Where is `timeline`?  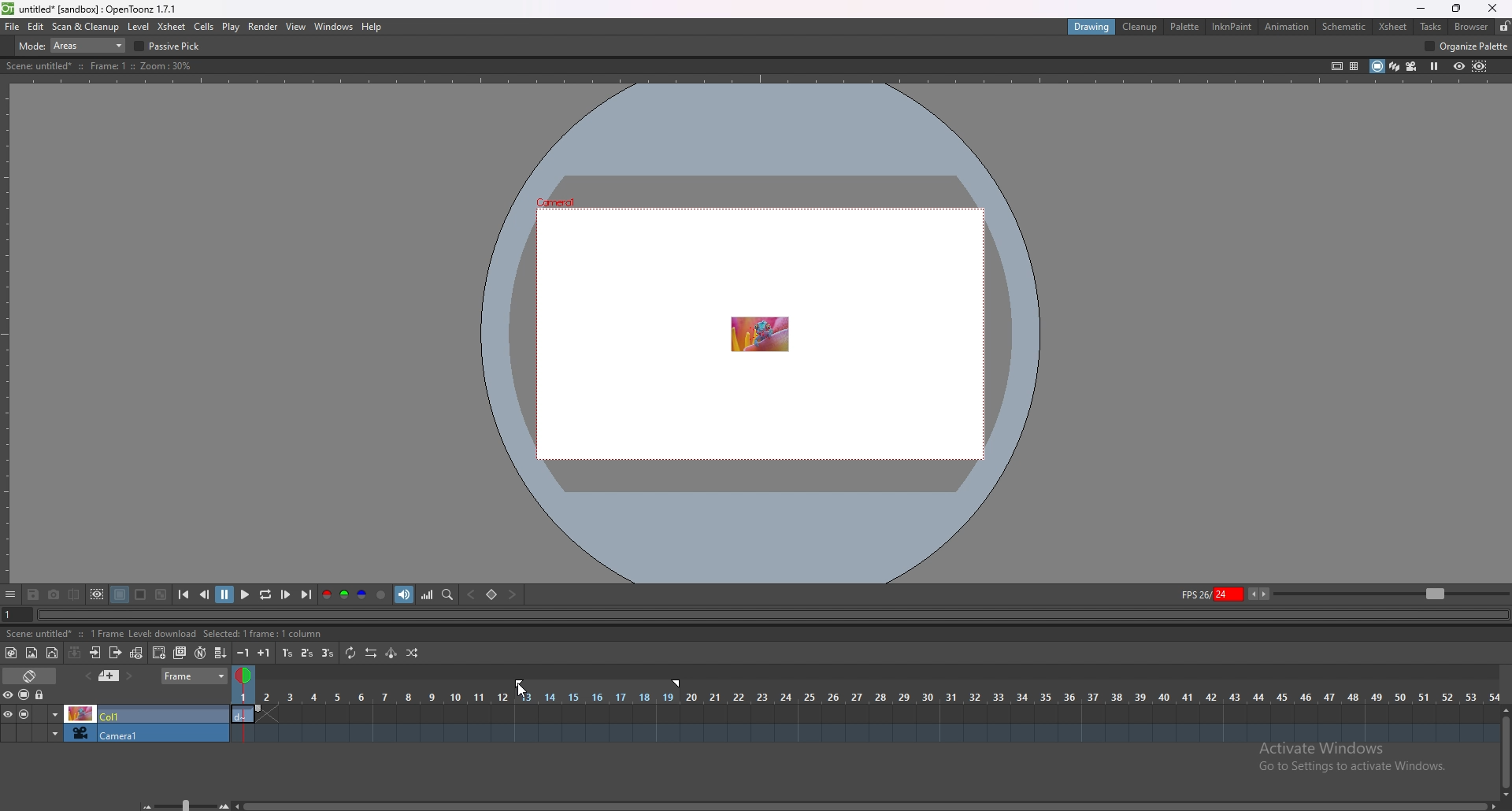 timeline is located at coordinates (863, 733).